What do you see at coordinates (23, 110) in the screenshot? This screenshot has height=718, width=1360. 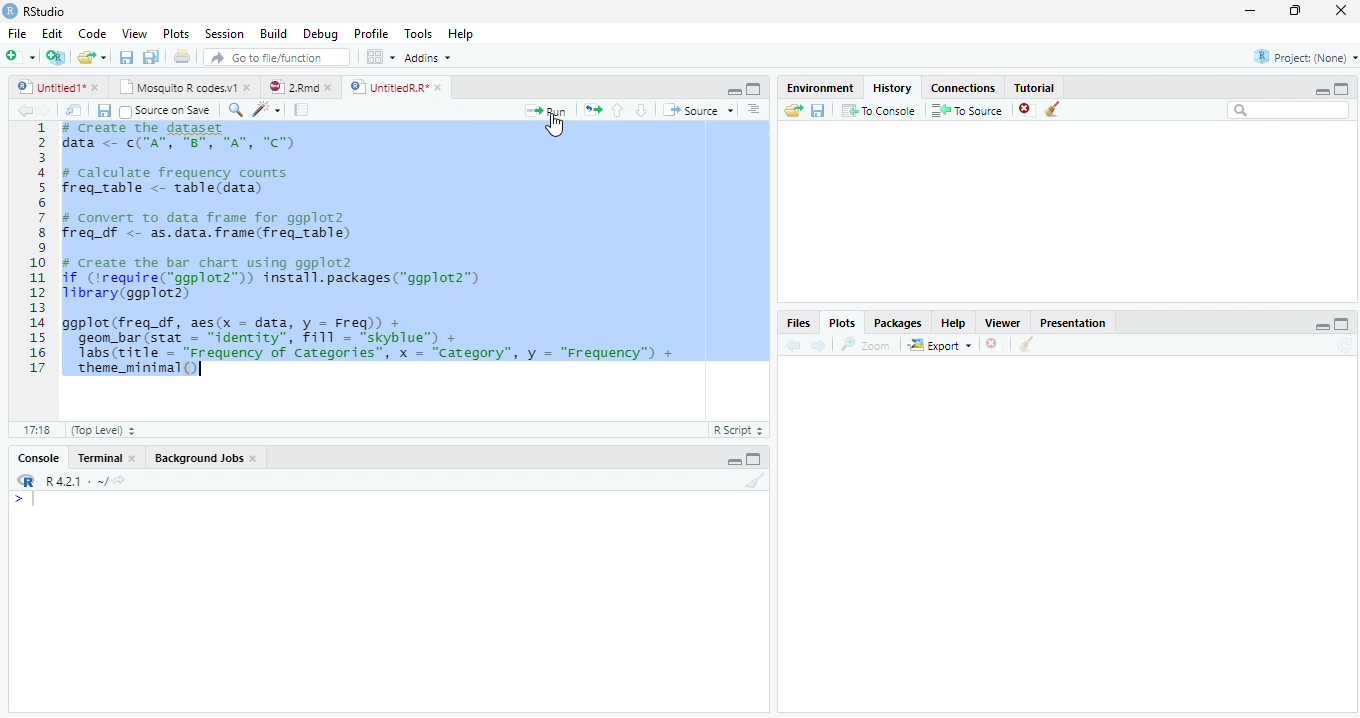 I see `Back` at bounding box center [23, 110].